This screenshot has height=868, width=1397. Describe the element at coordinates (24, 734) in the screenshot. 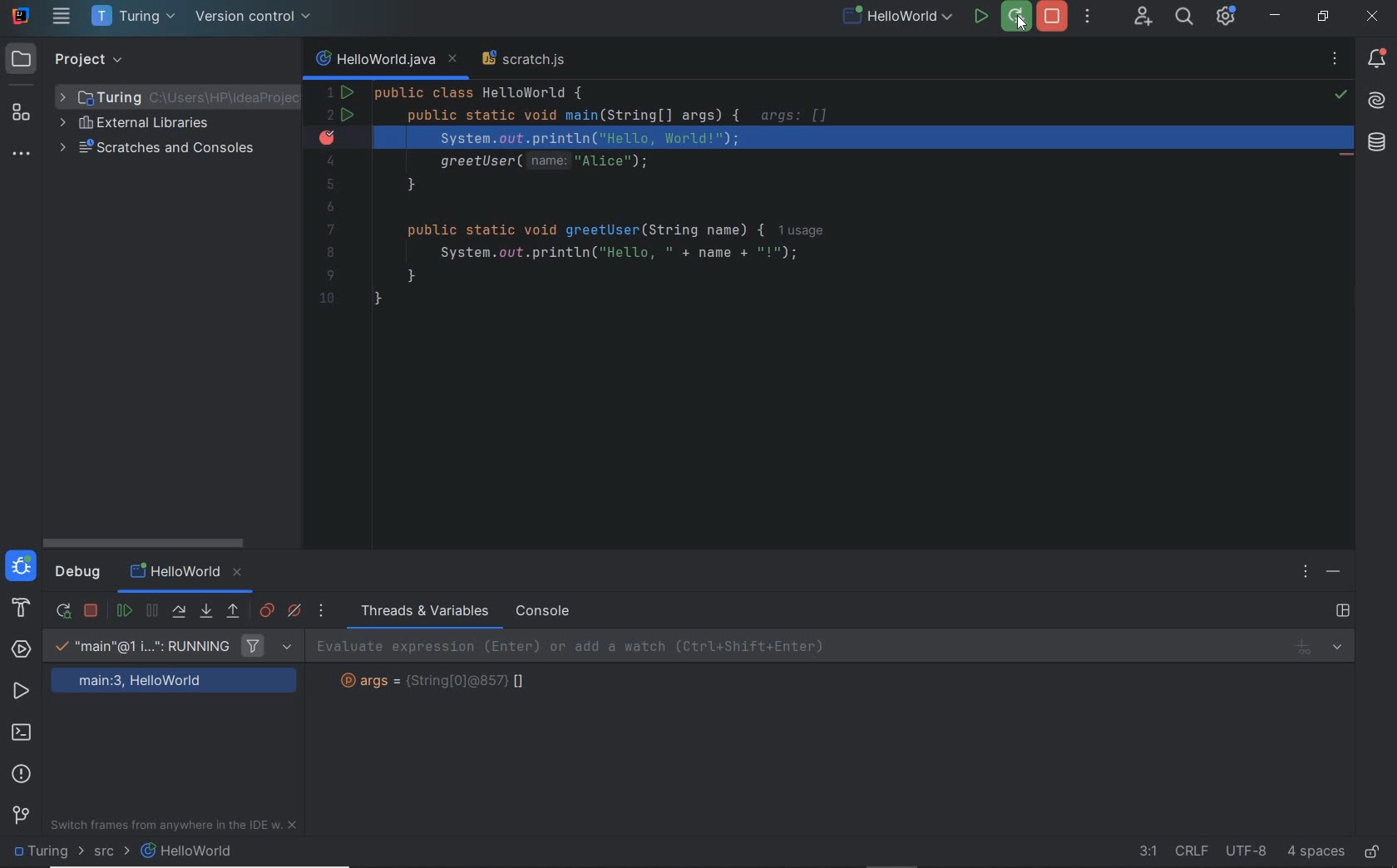

I see `terminal` at that location.